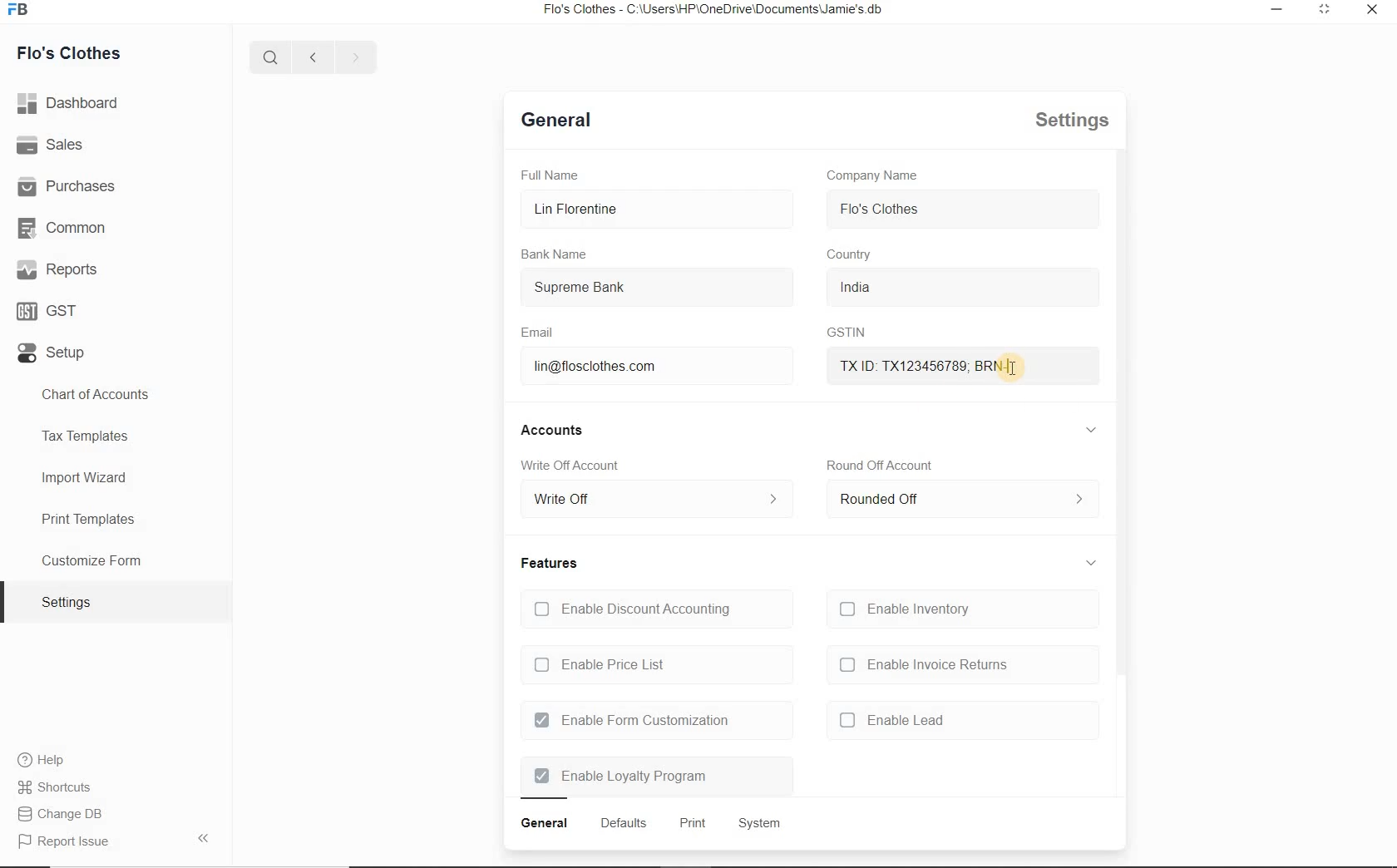  What do you see at coordinates (558, 430) in the screenshot?
I see `accounts` at bounding box center [558, 430].